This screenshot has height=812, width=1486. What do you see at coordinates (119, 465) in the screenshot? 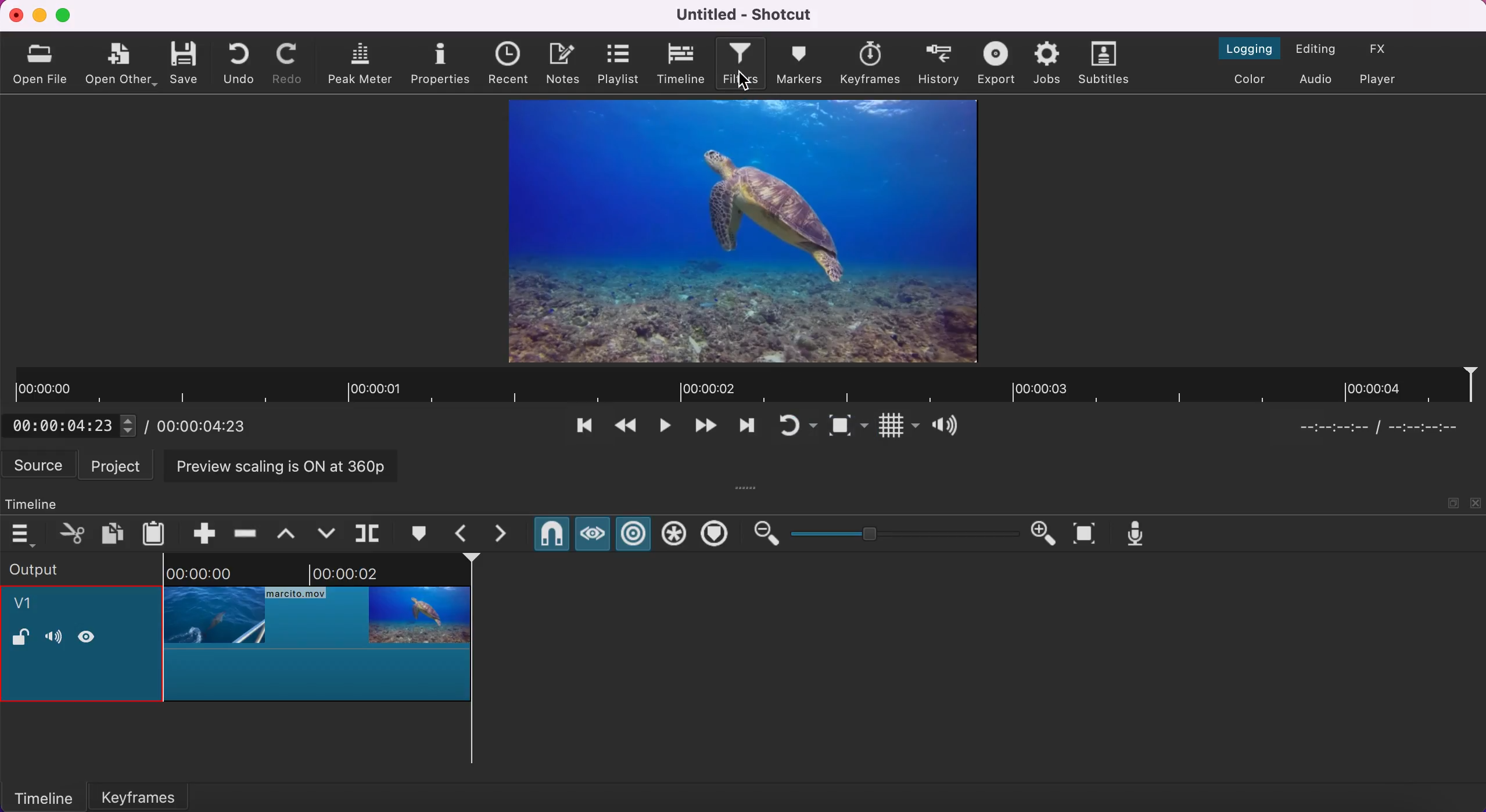
I see `project` at bounding box center [119, 465].